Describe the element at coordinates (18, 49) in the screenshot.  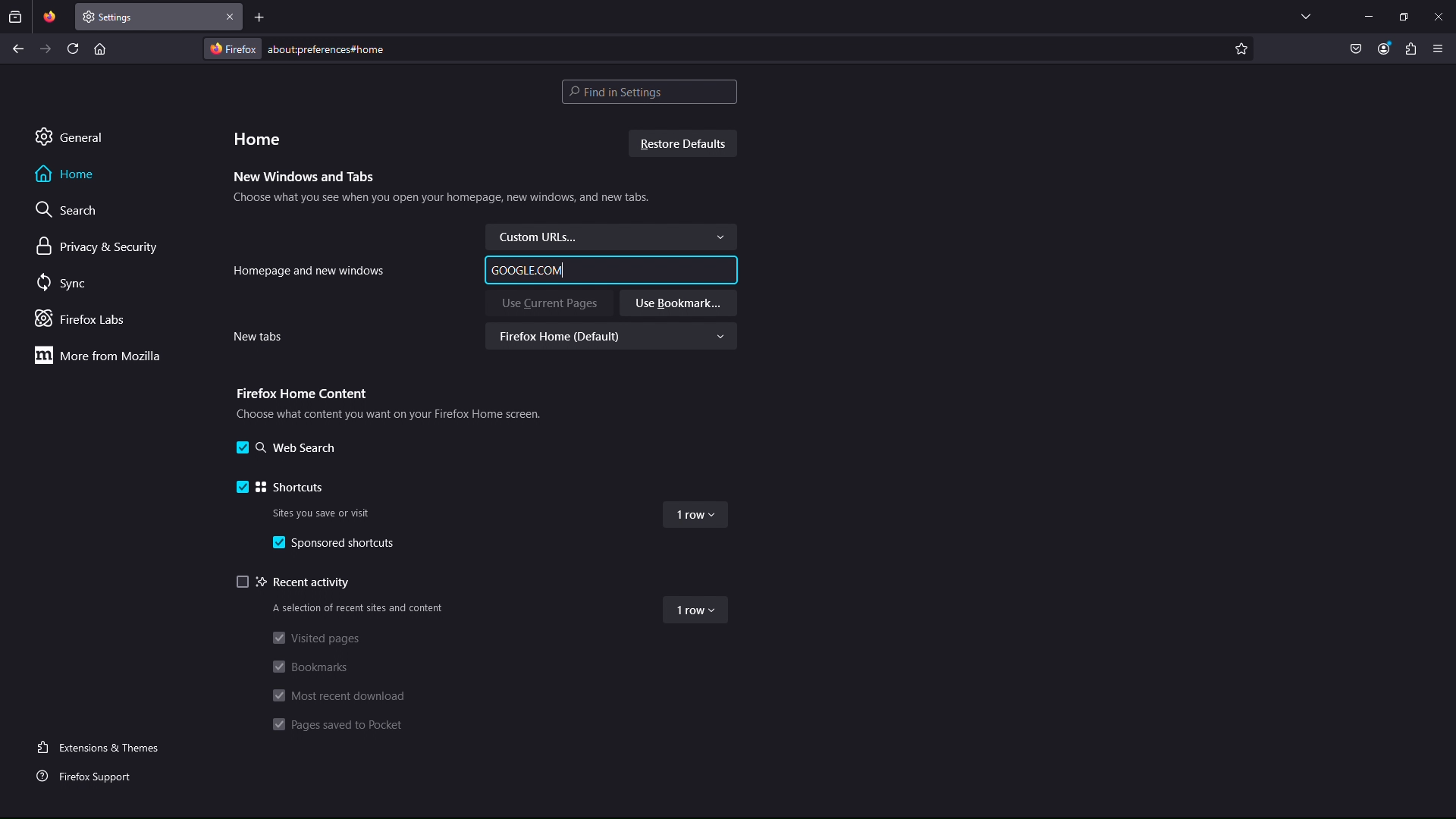
I see `Back` at that location.